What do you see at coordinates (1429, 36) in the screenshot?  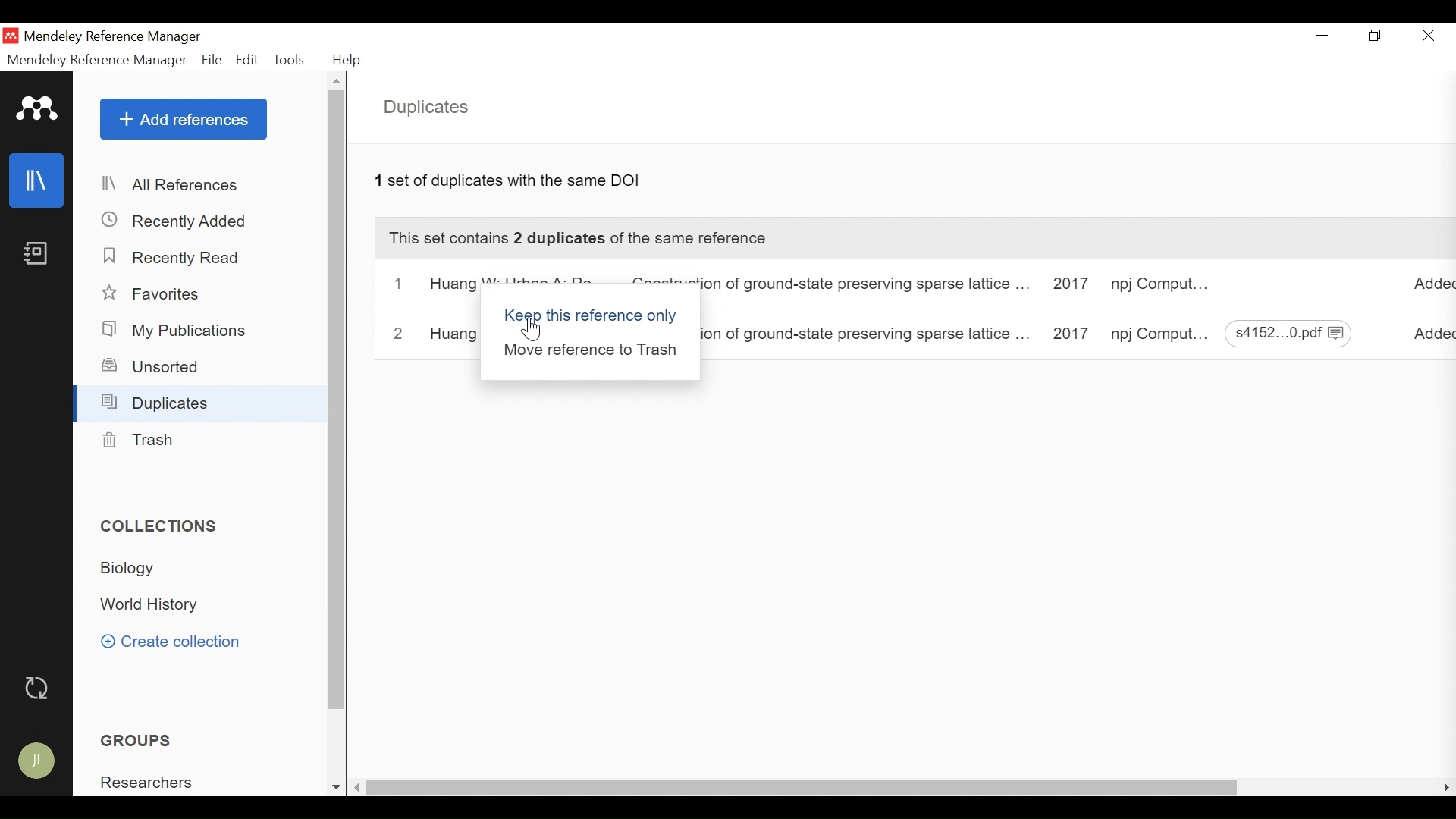 I see `Close` at bounding box center [1429, 36].